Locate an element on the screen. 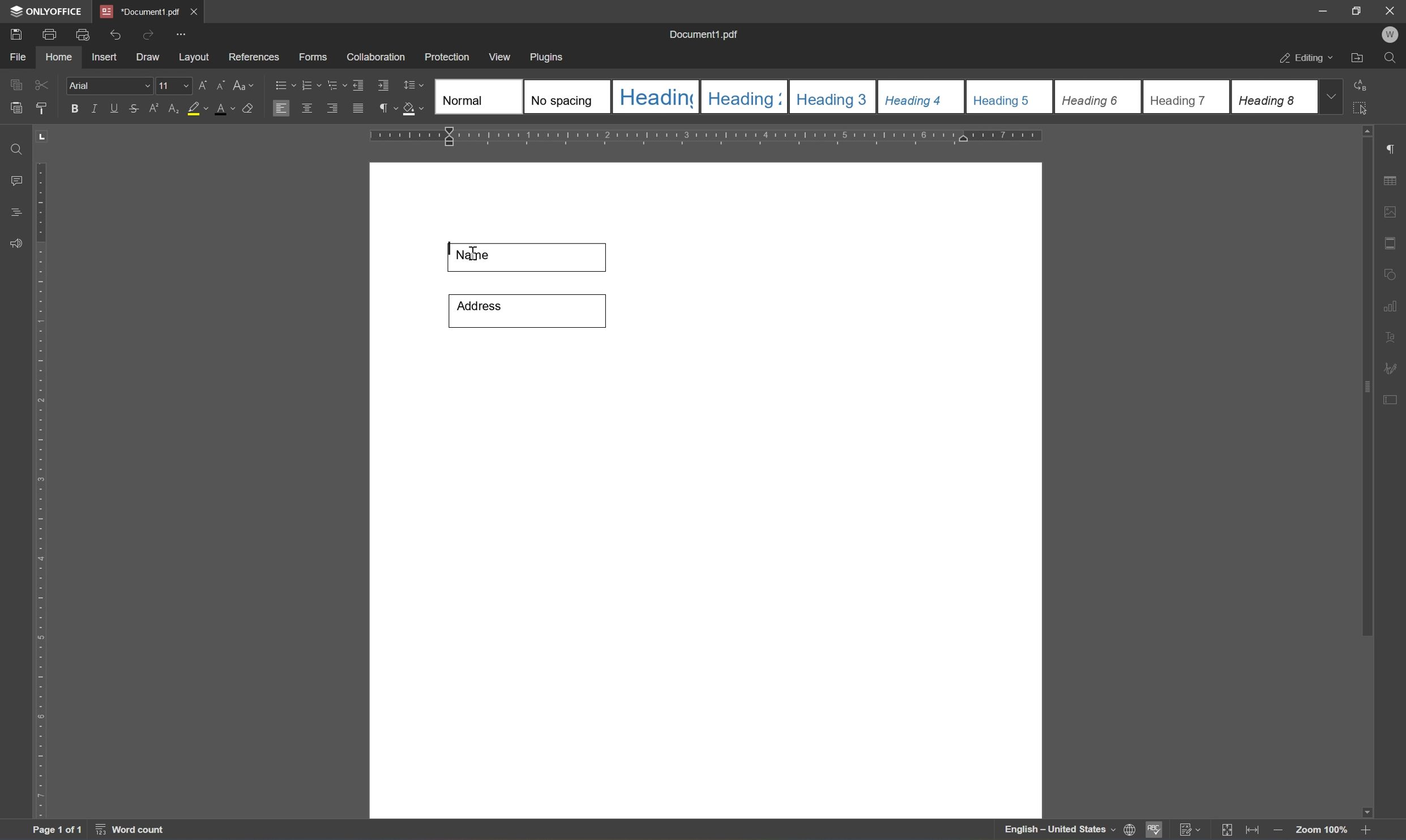 This screenshot has width=1406, height=840. copy is located at coordinates (15, 84).